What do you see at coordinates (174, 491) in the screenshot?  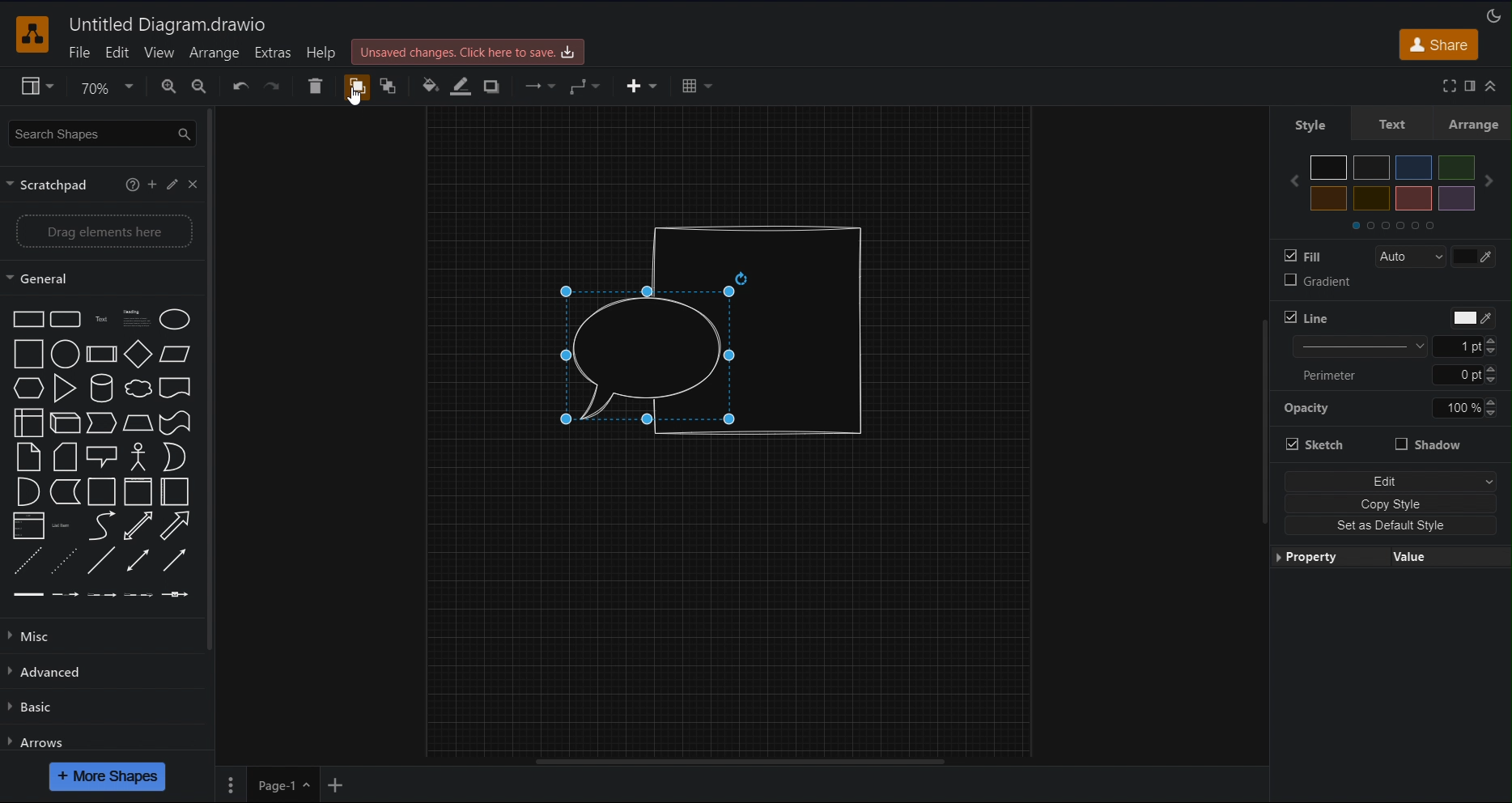 I see `Horizontal container` at bounding box center [174, 491].